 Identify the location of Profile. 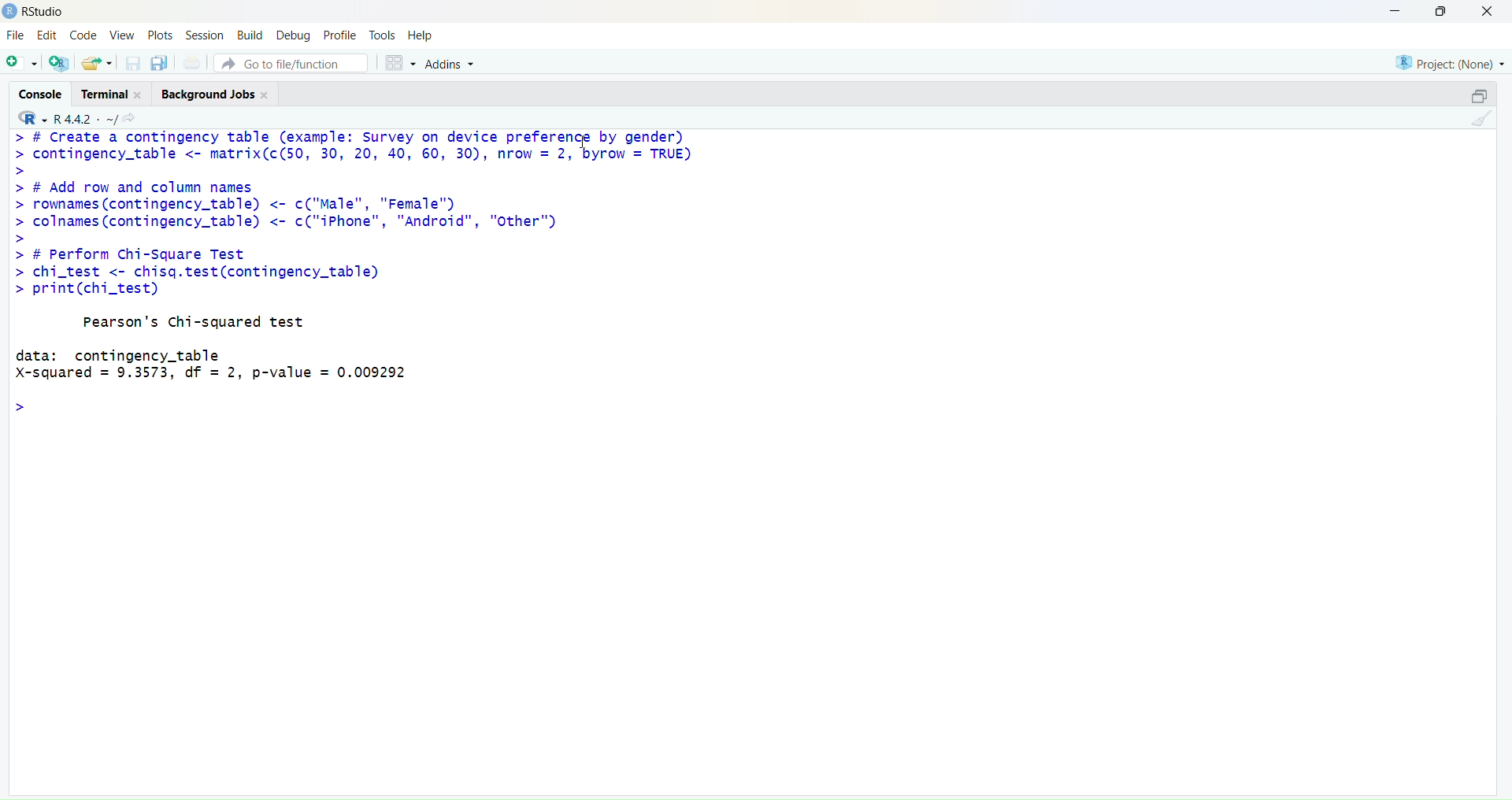
(343, 36).